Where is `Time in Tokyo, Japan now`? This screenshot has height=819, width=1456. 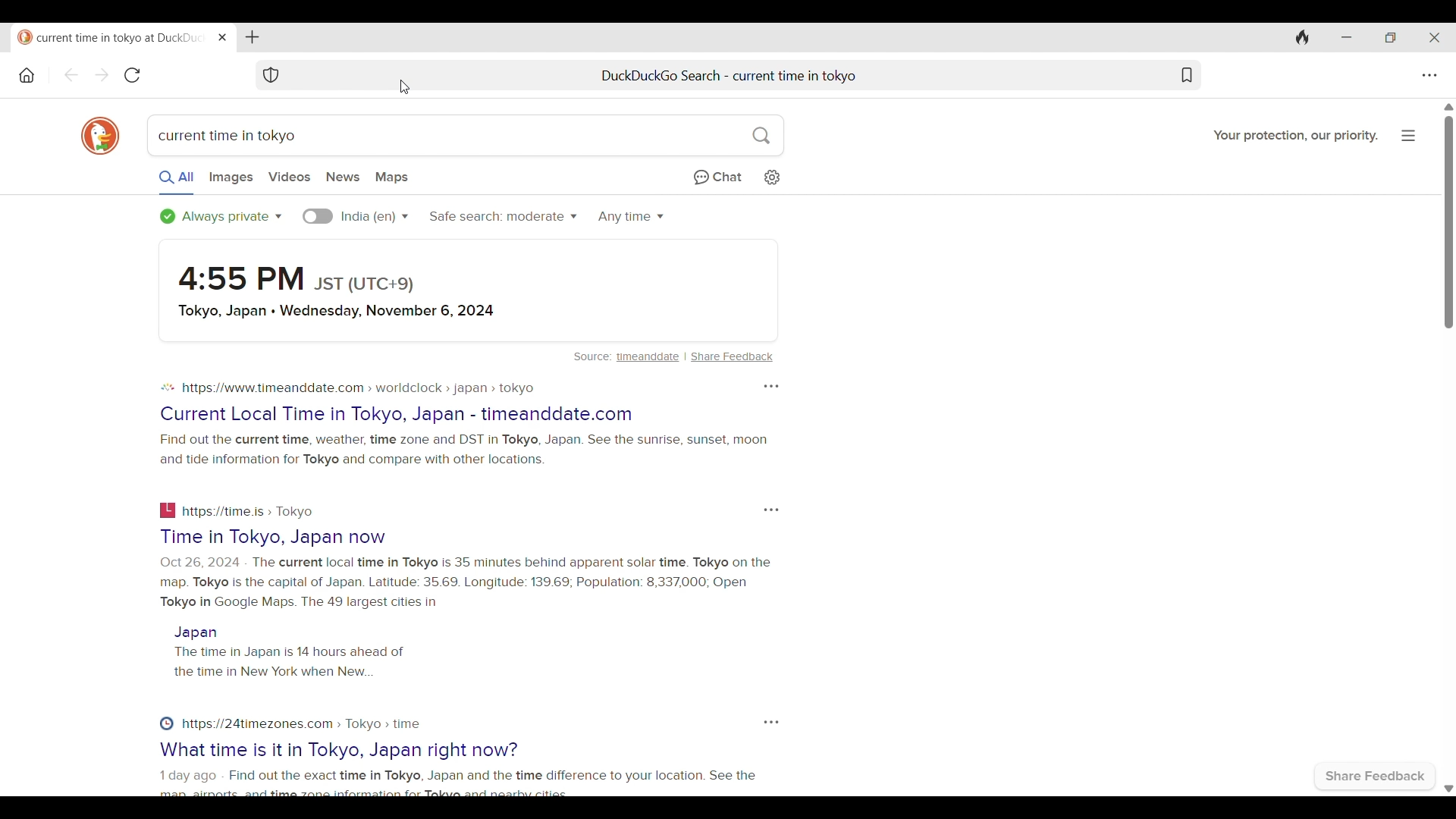
Time in Tokyo, Japan now is located at coordinates (274, 538).